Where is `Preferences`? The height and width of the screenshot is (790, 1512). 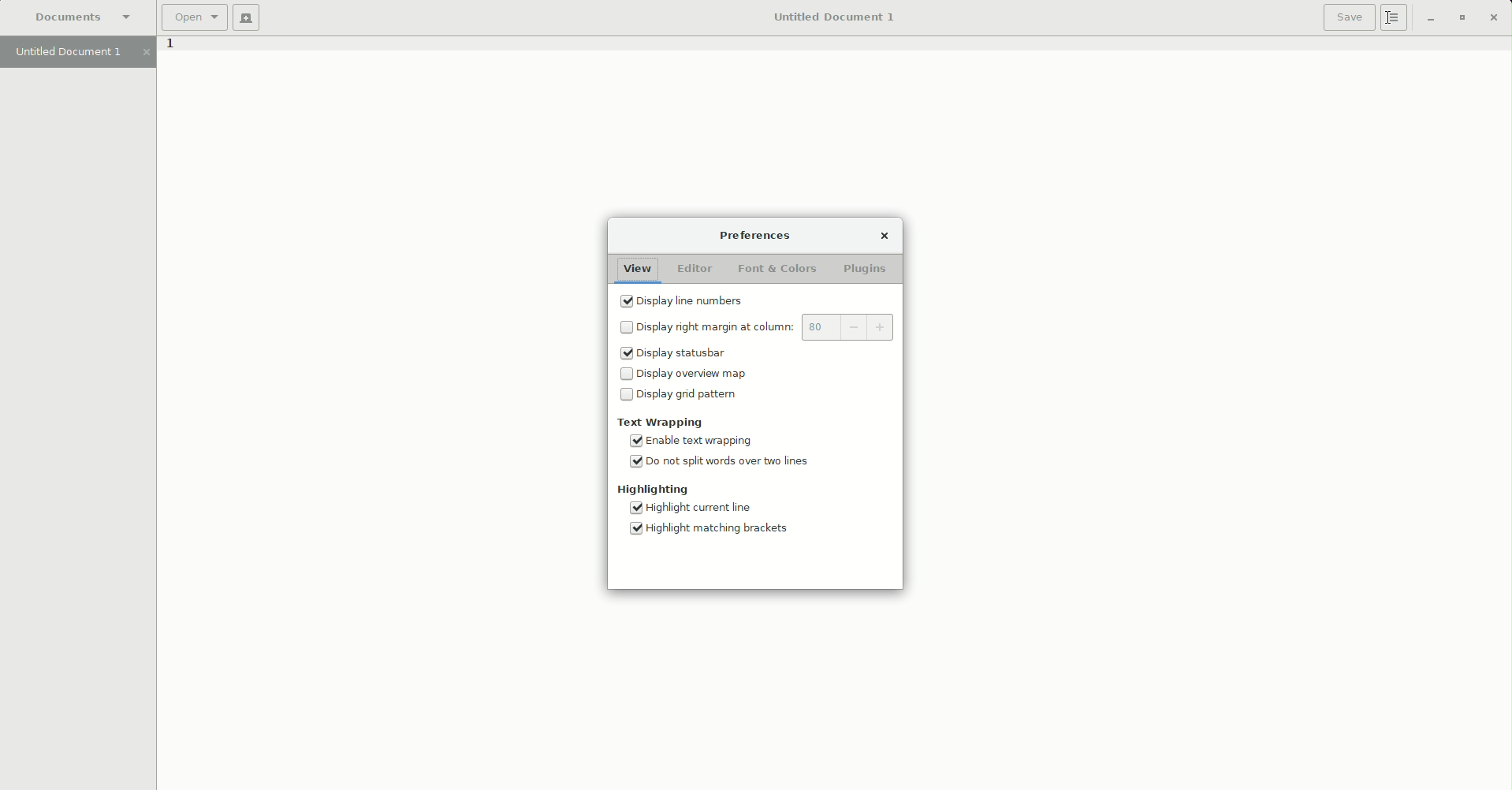 Preferences is located at coordinates (754, 235).